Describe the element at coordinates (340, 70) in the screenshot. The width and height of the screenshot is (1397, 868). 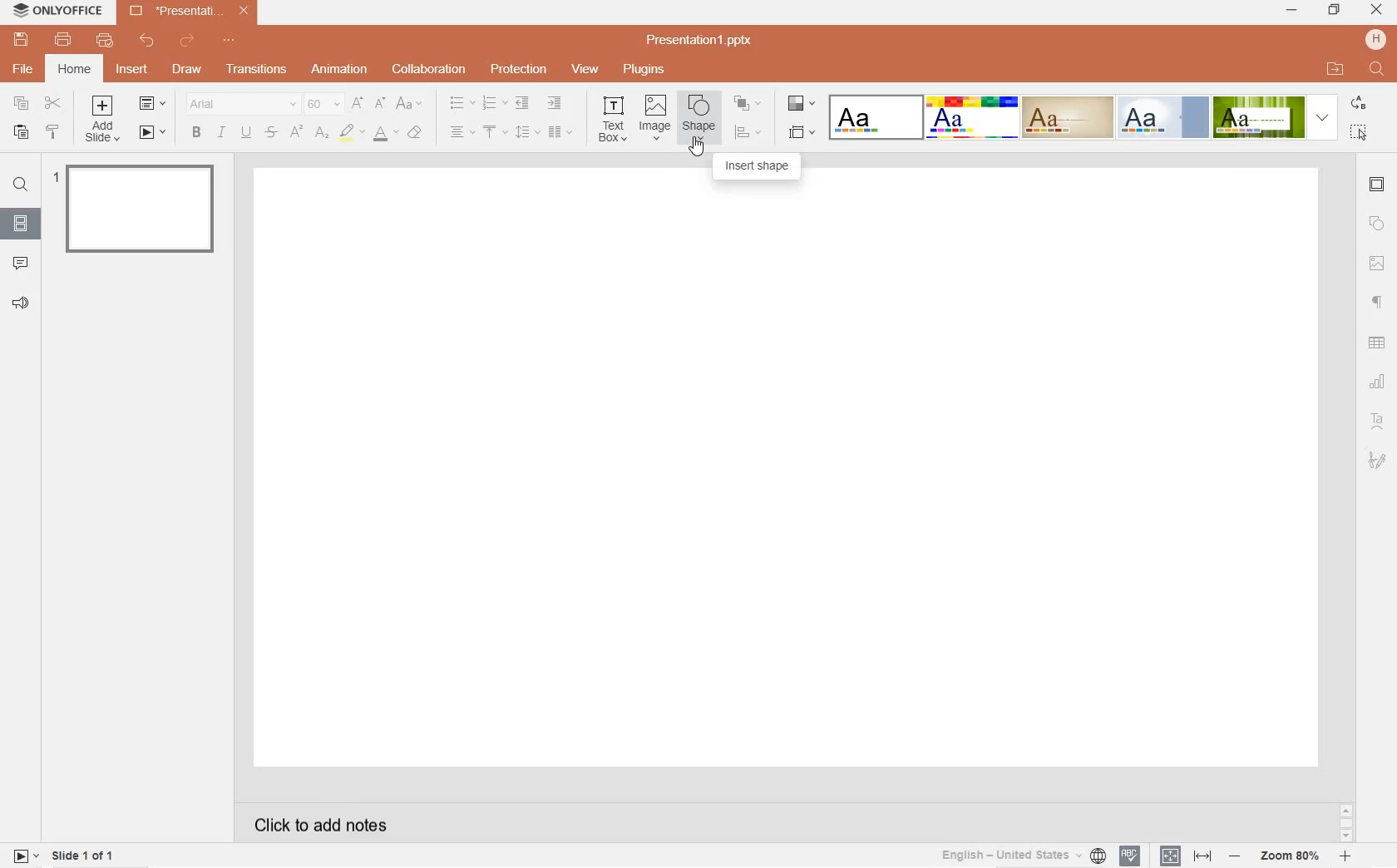
I see `animation` at that location.